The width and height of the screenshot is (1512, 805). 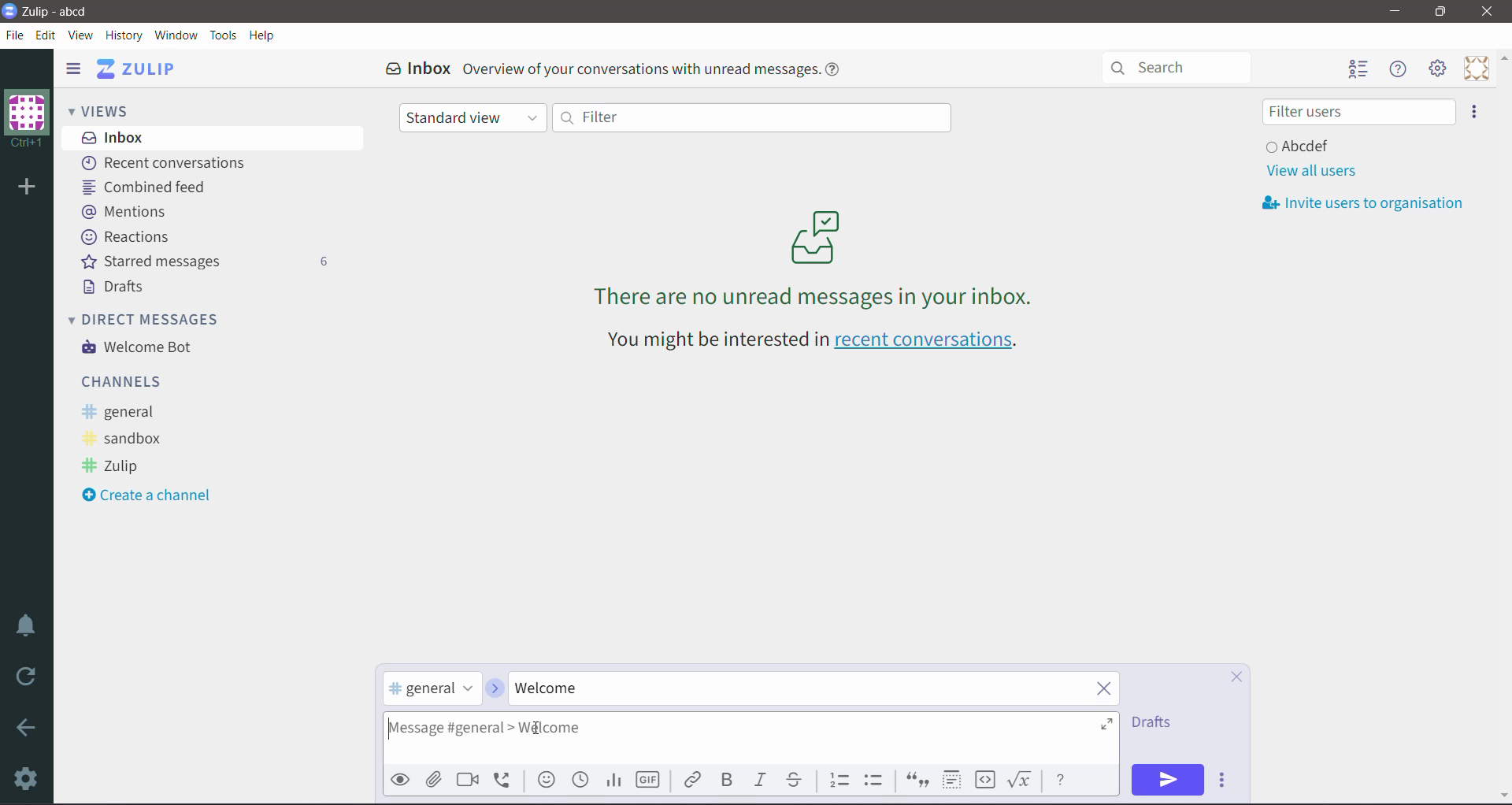 I want to click on Restore Down, so click(x=1440, y=12).